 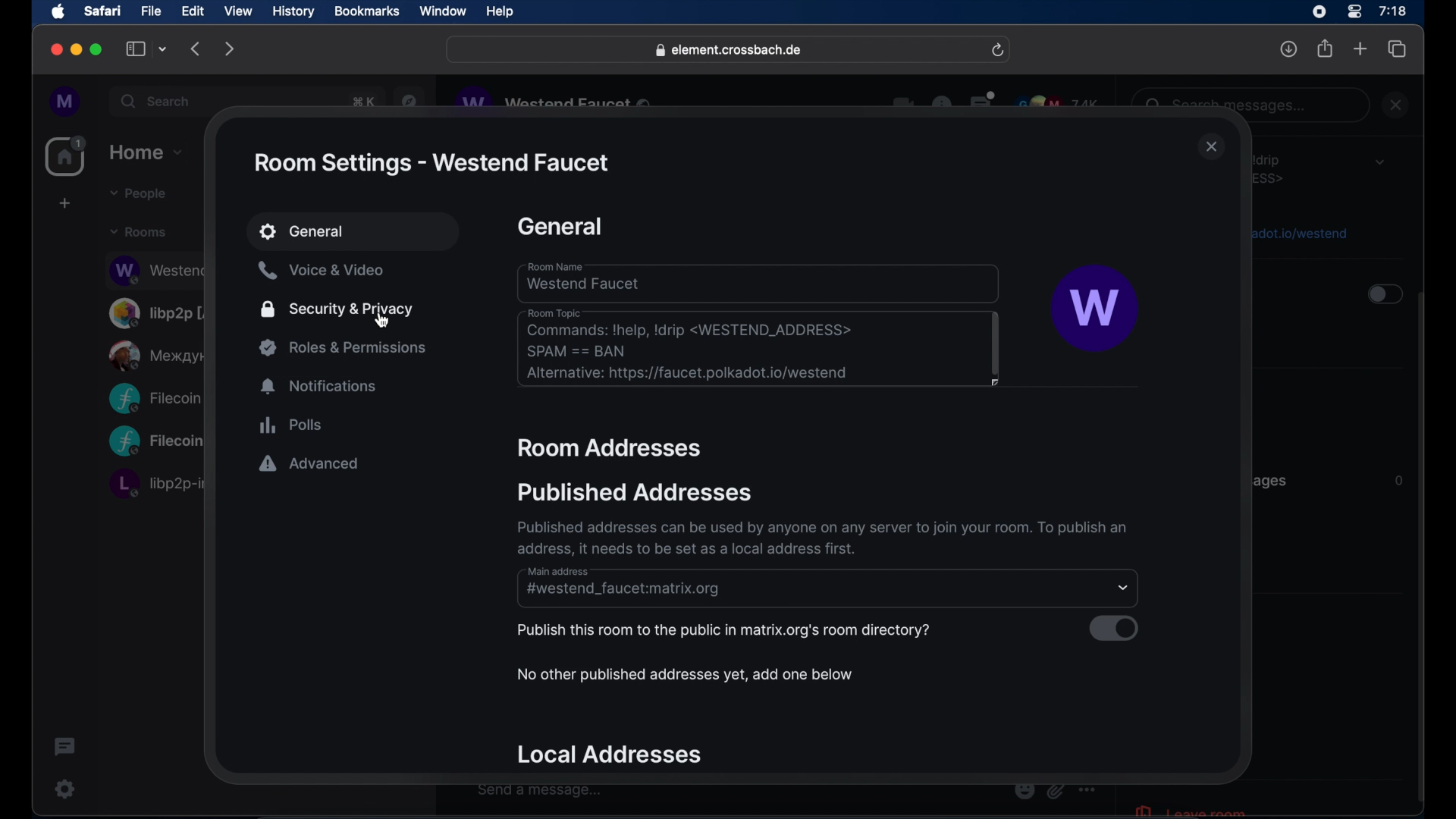 What do you see at coordinates (409, 99) in the screenshot?
I see `navigation` at bounding box center [409, 99].